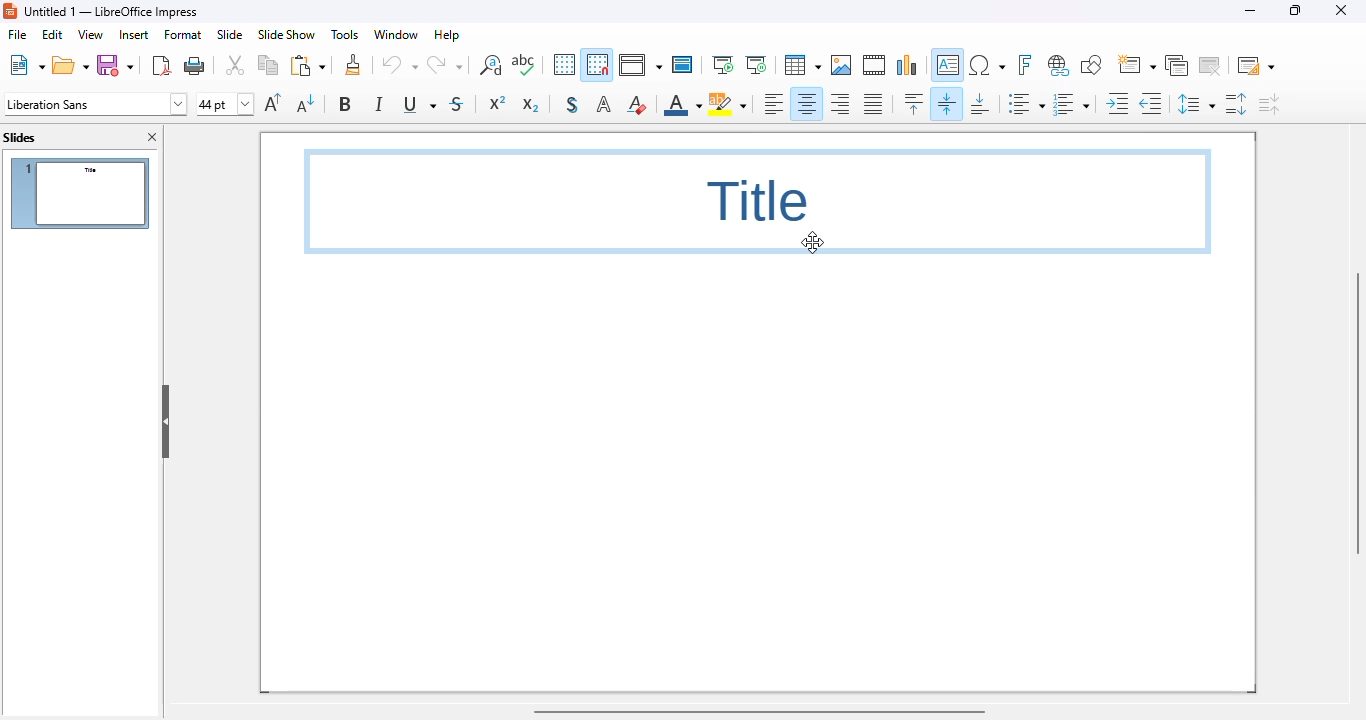 Image resolution: width=1366 pixels, height=720 pixels. What do you see at coordinates (19, 137) in the screenshot?
I see `slides` at bounding box center [19, 137].